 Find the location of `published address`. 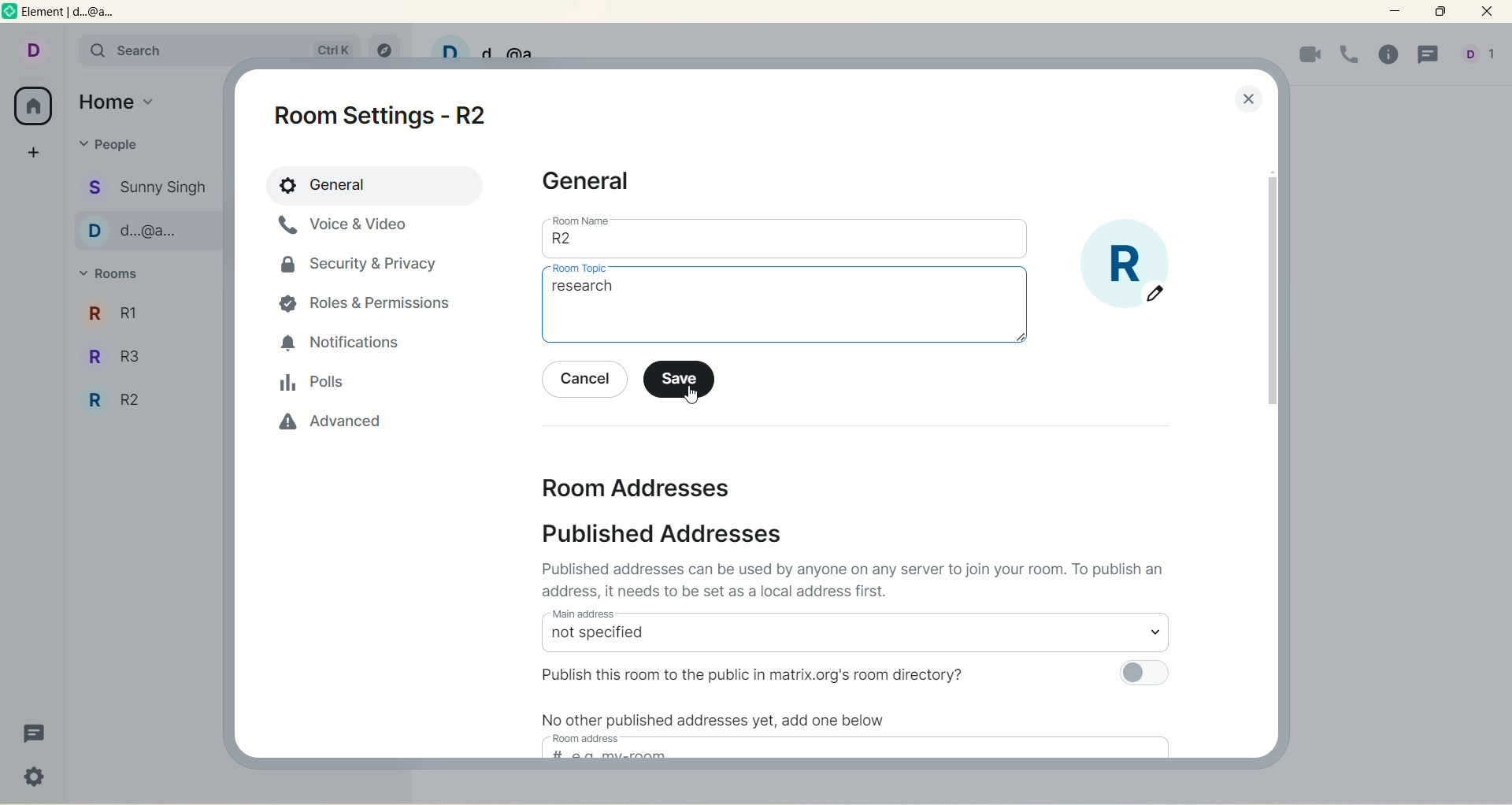

published address is located at coordinates (676, 533).